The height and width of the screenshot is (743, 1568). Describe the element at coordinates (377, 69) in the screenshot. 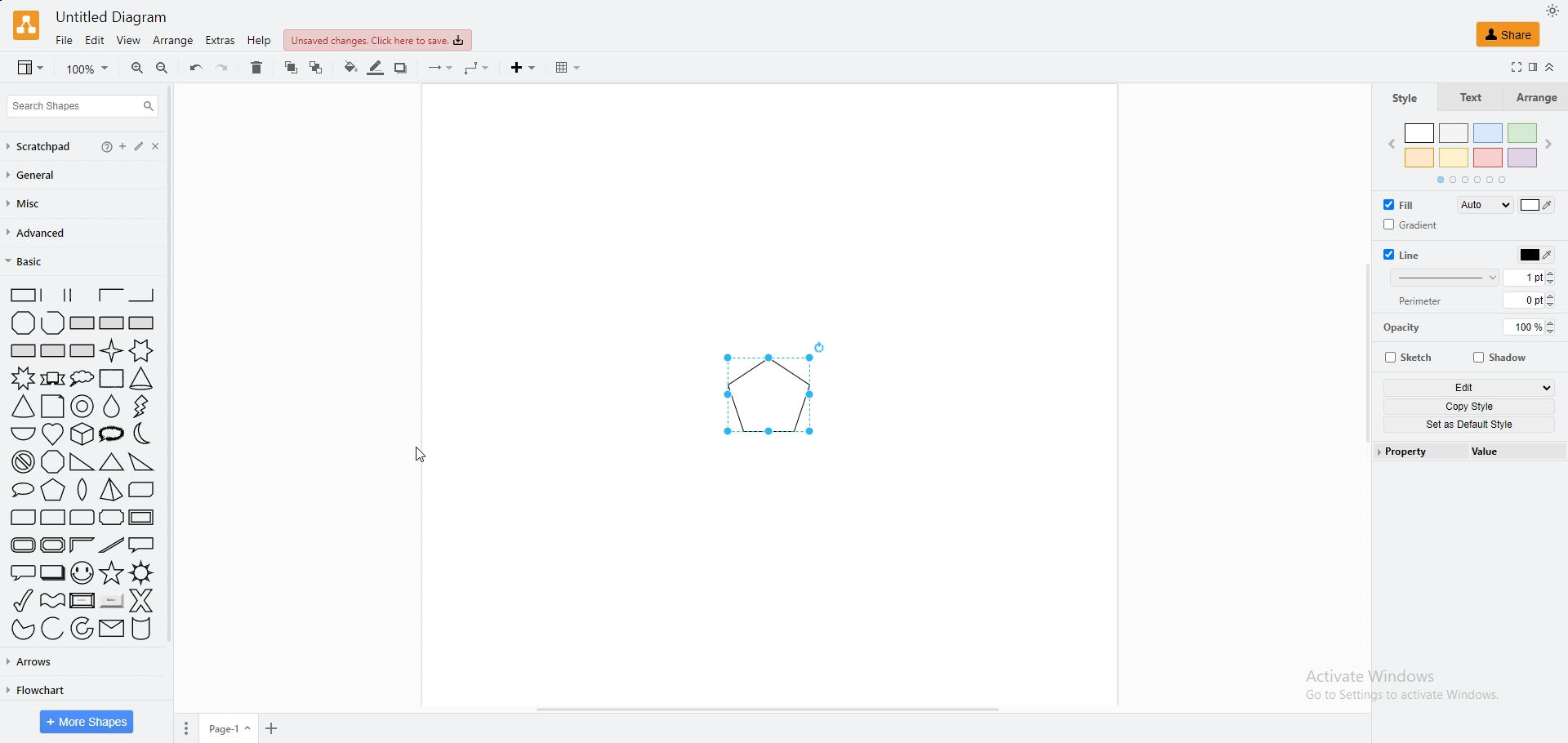

I see `line color` at that location.